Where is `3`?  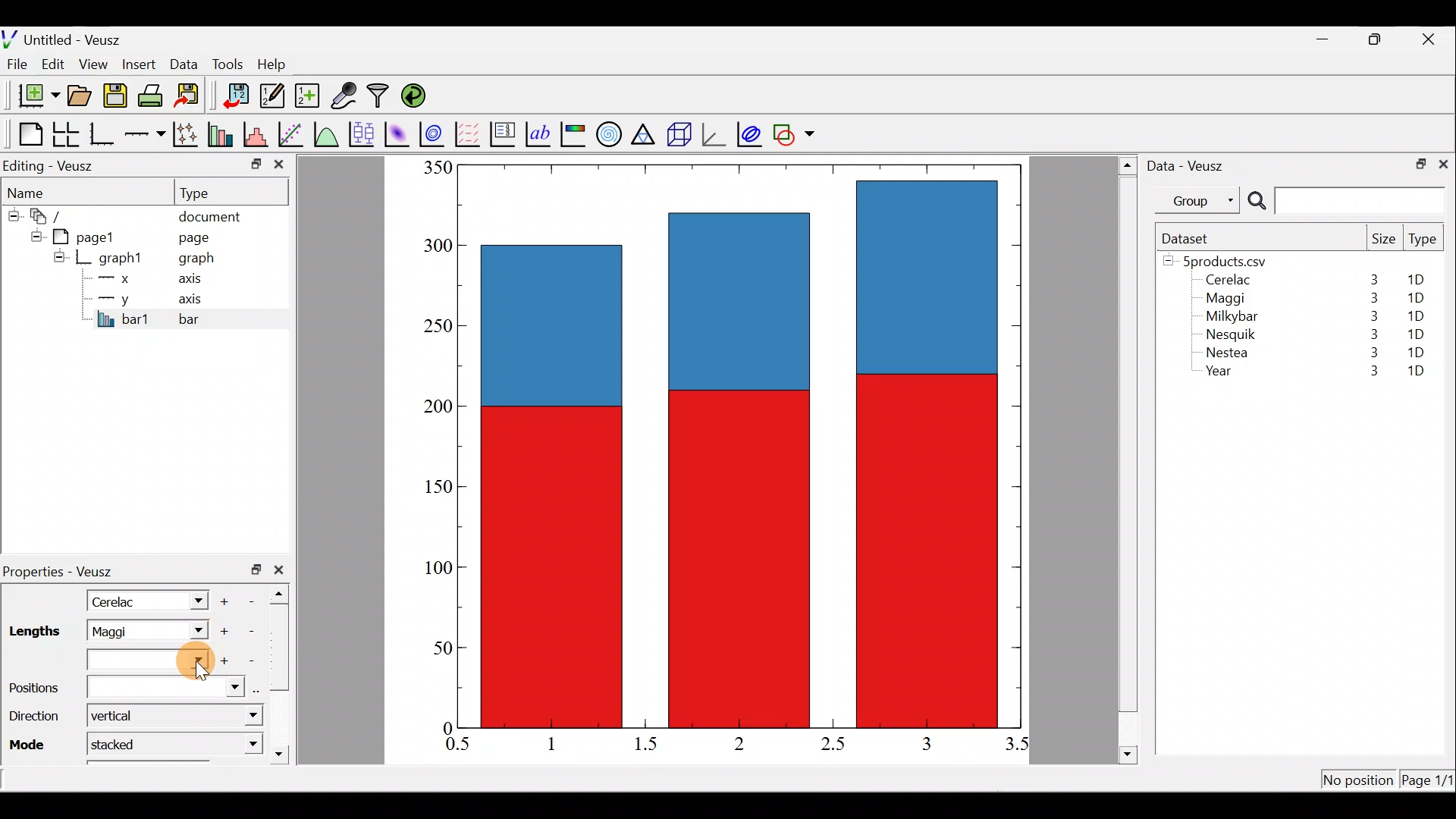 3 is located at coordinates (1370, 298).